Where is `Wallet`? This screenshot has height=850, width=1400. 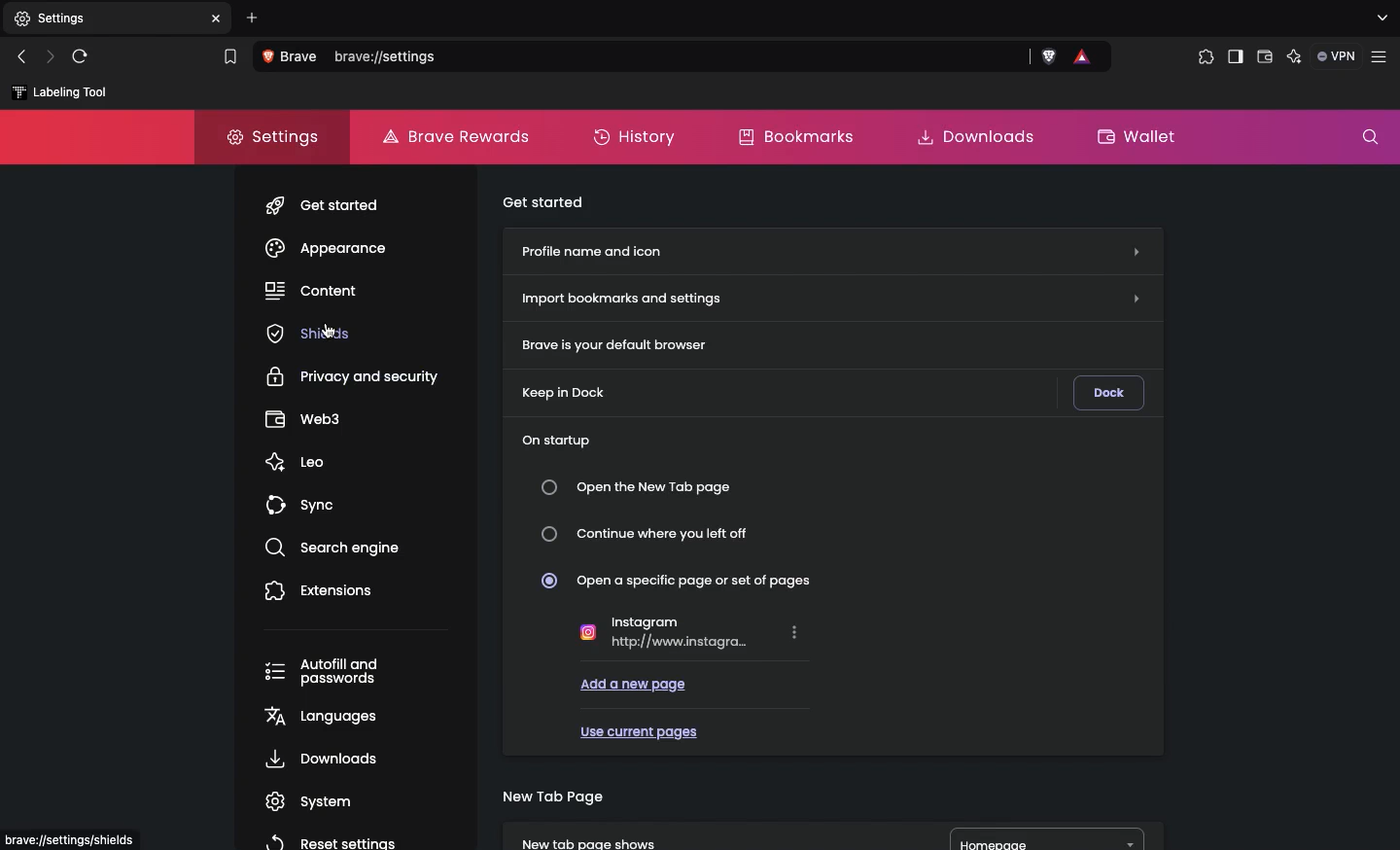 Wallet is located at coordinates (1139, 140).